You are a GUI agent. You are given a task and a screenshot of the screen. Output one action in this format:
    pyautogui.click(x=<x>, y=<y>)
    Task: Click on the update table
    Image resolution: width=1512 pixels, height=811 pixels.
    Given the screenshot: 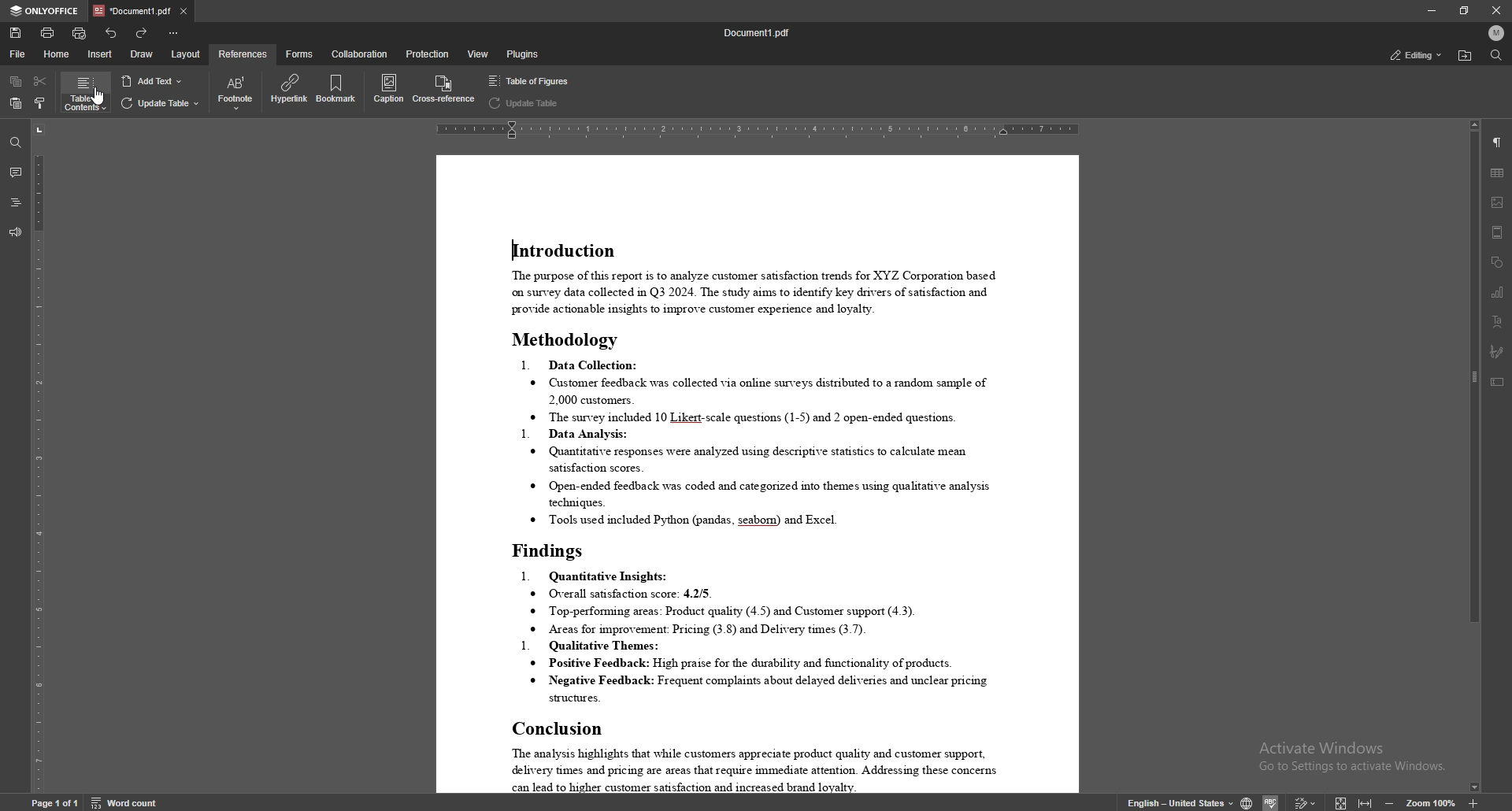 What is the action you would take?
    pyautogui.click(x=525, y=102)
    